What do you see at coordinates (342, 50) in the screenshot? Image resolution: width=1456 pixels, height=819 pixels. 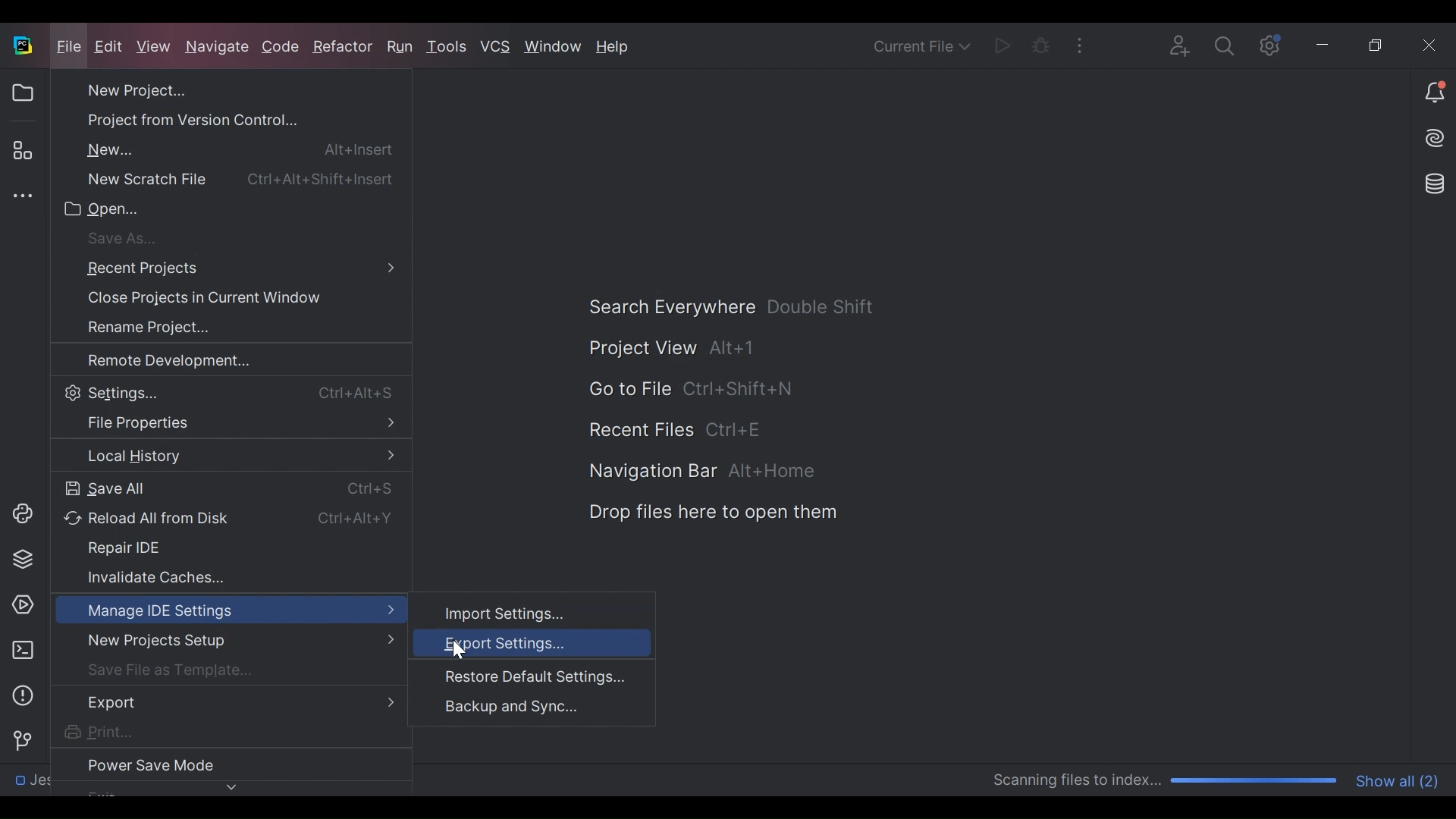 I see `Refractor` at bounding box center [342, 50].